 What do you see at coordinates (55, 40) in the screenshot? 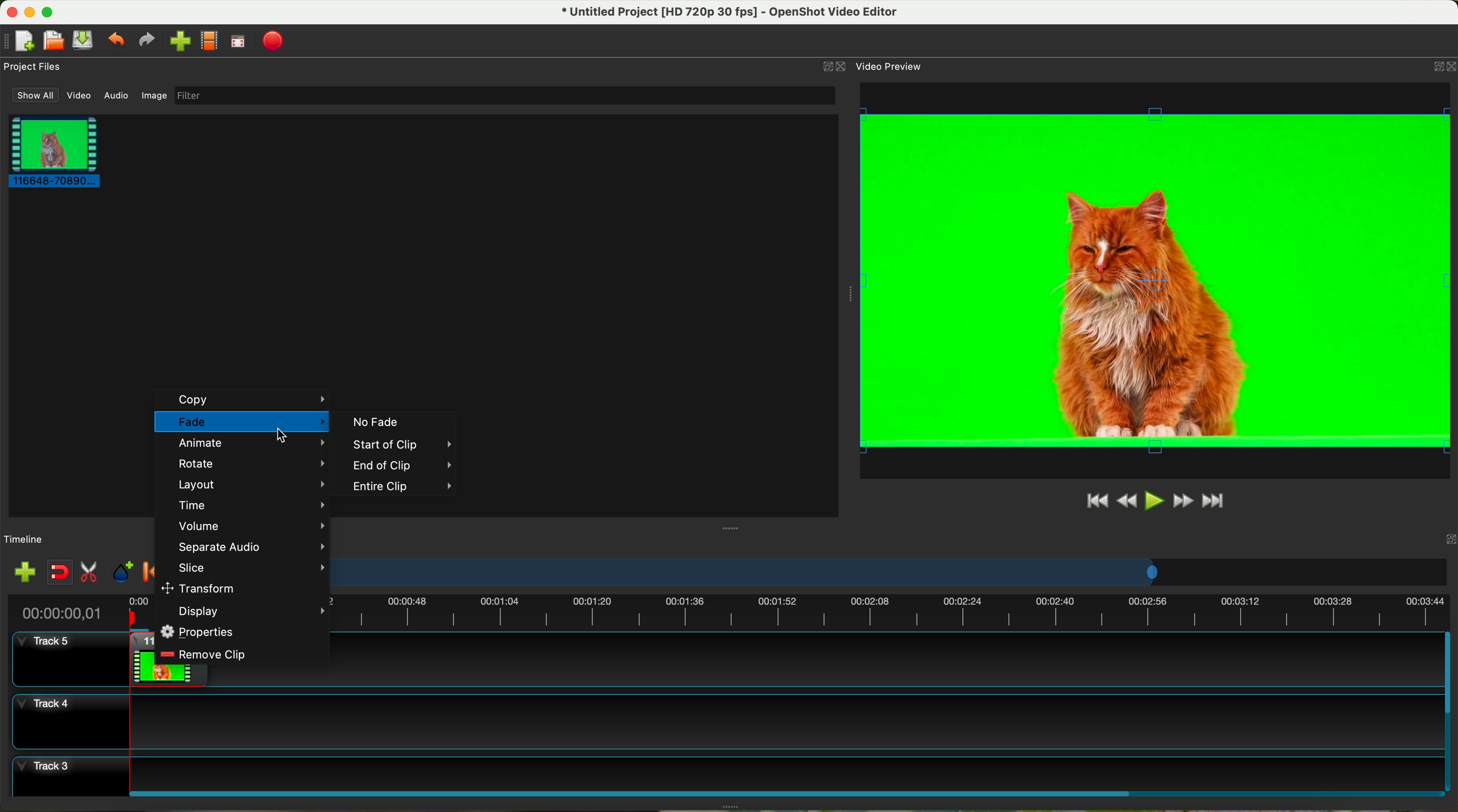
I see `open project` at bounding box center [55, 40].